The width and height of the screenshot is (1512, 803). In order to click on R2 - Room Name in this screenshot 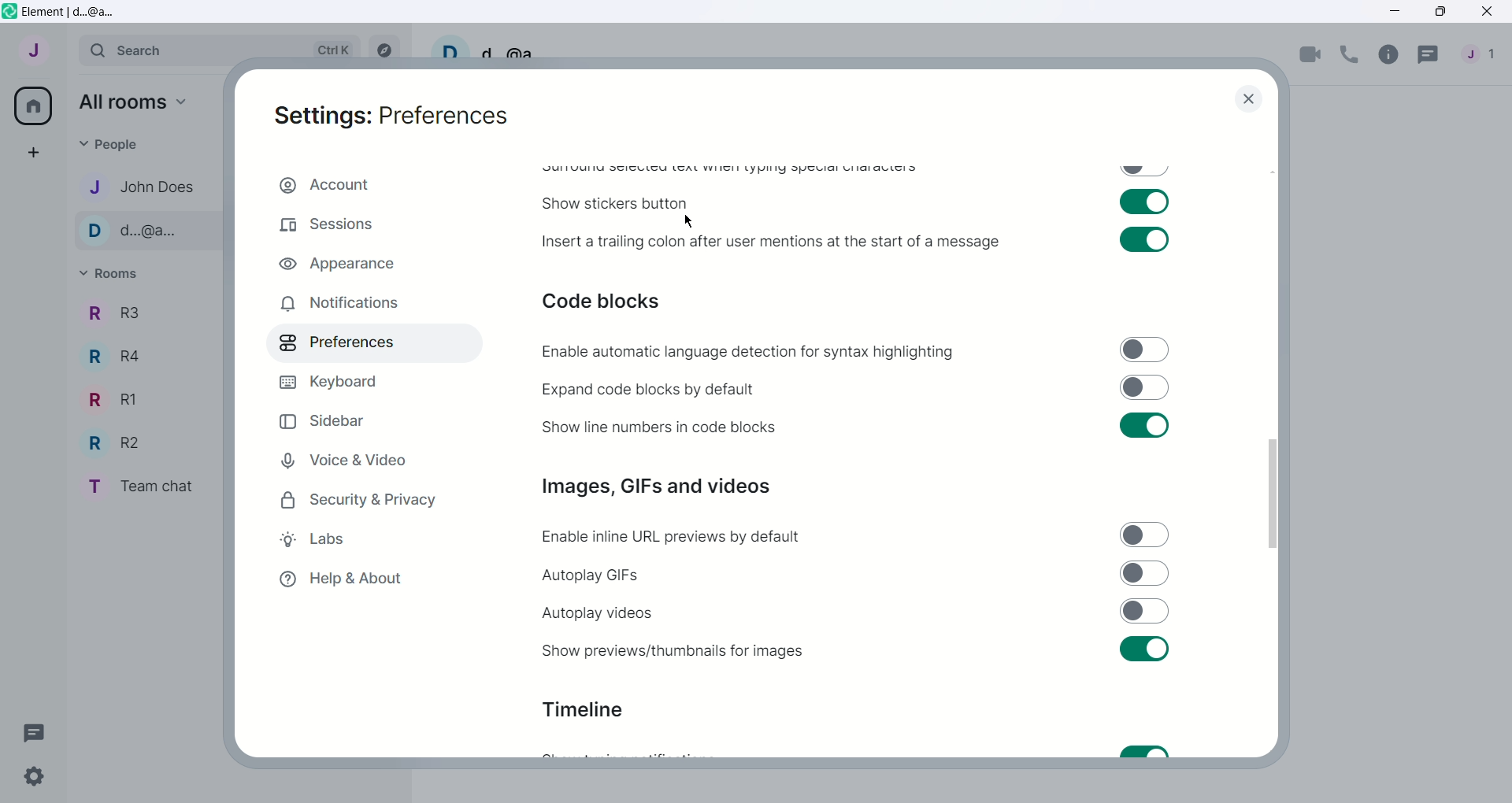, I will do `click(120, 442)`.